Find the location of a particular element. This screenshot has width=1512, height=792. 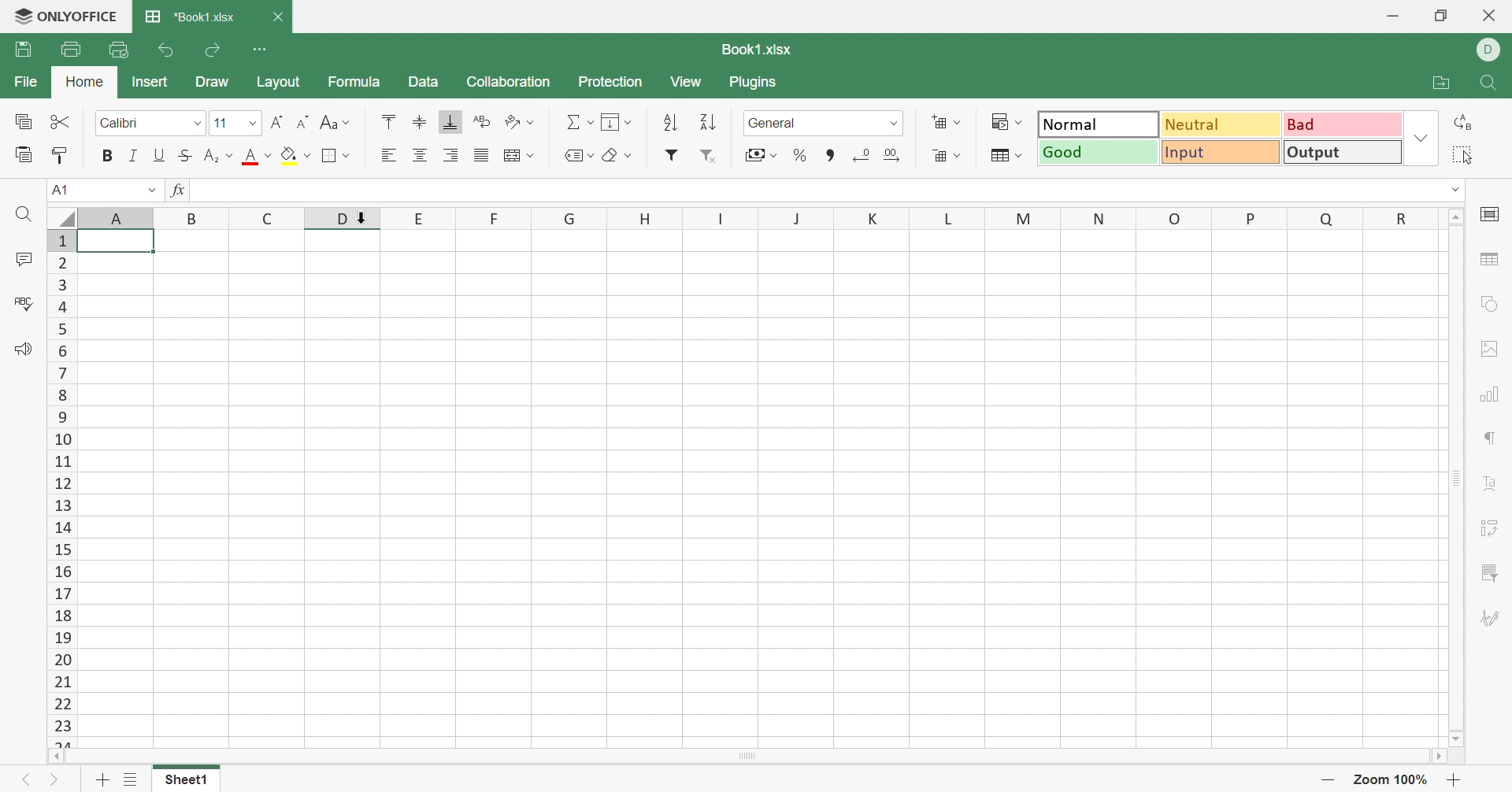

Copy Style is located at coordinates (61, 156).